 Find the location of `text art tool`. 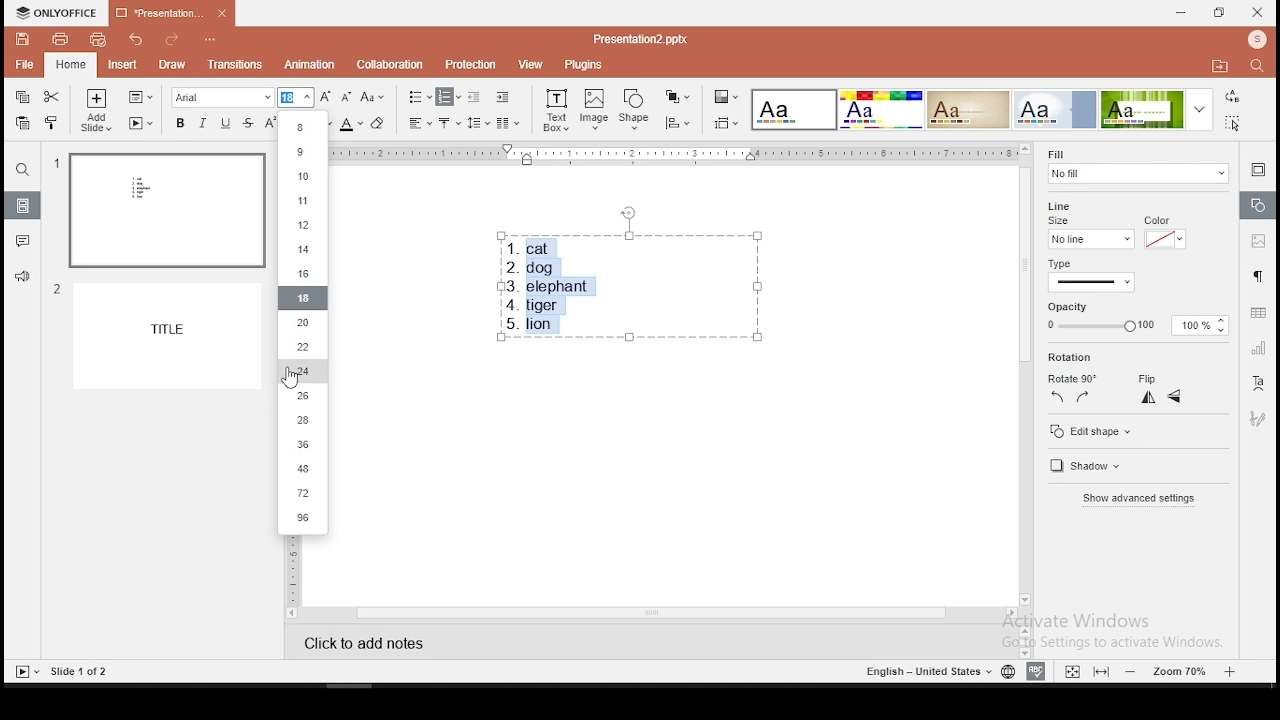

text art tool is located at coordinates (1259, 384).